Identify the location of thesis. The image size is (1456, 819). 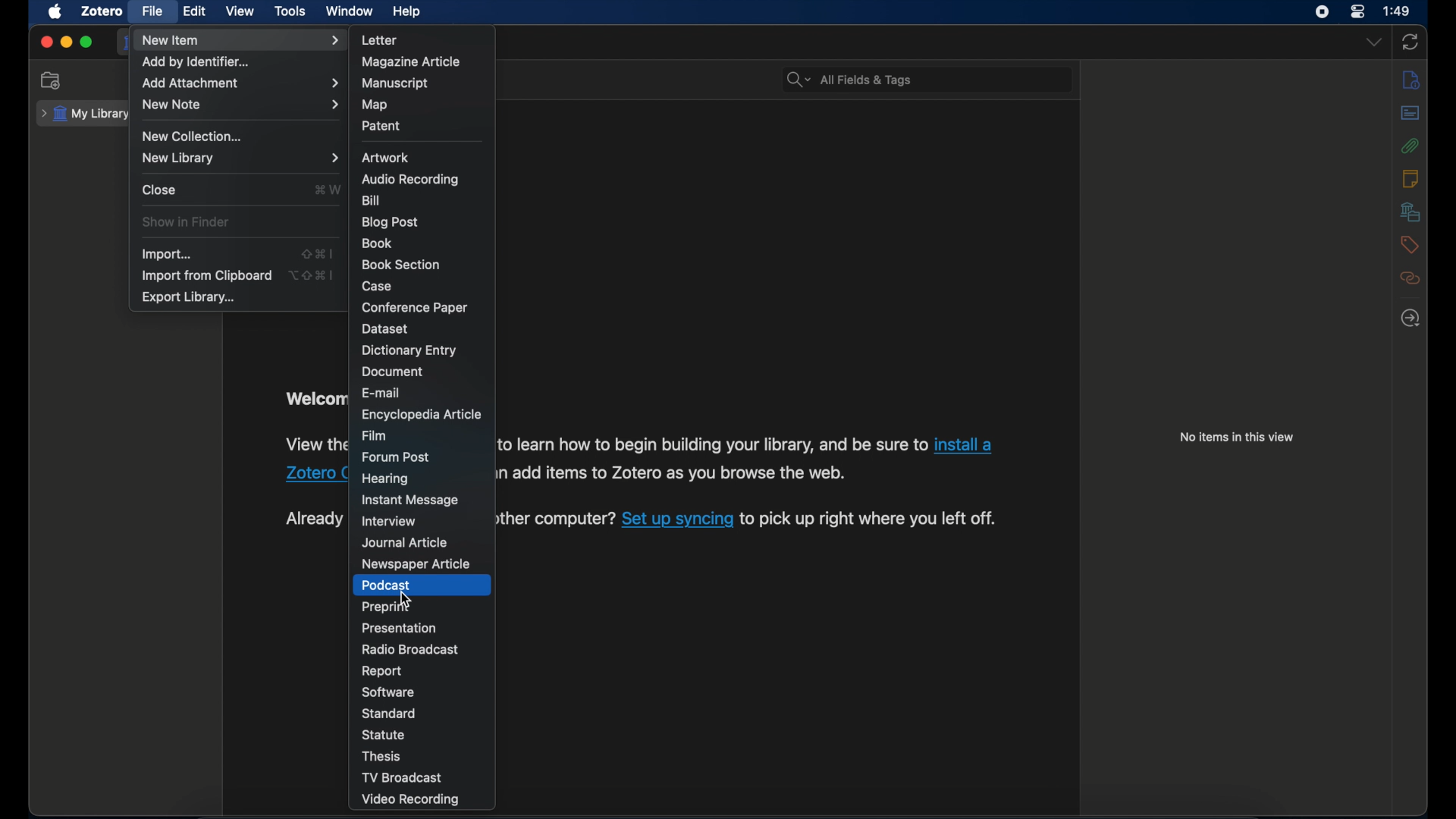
(384, 756).